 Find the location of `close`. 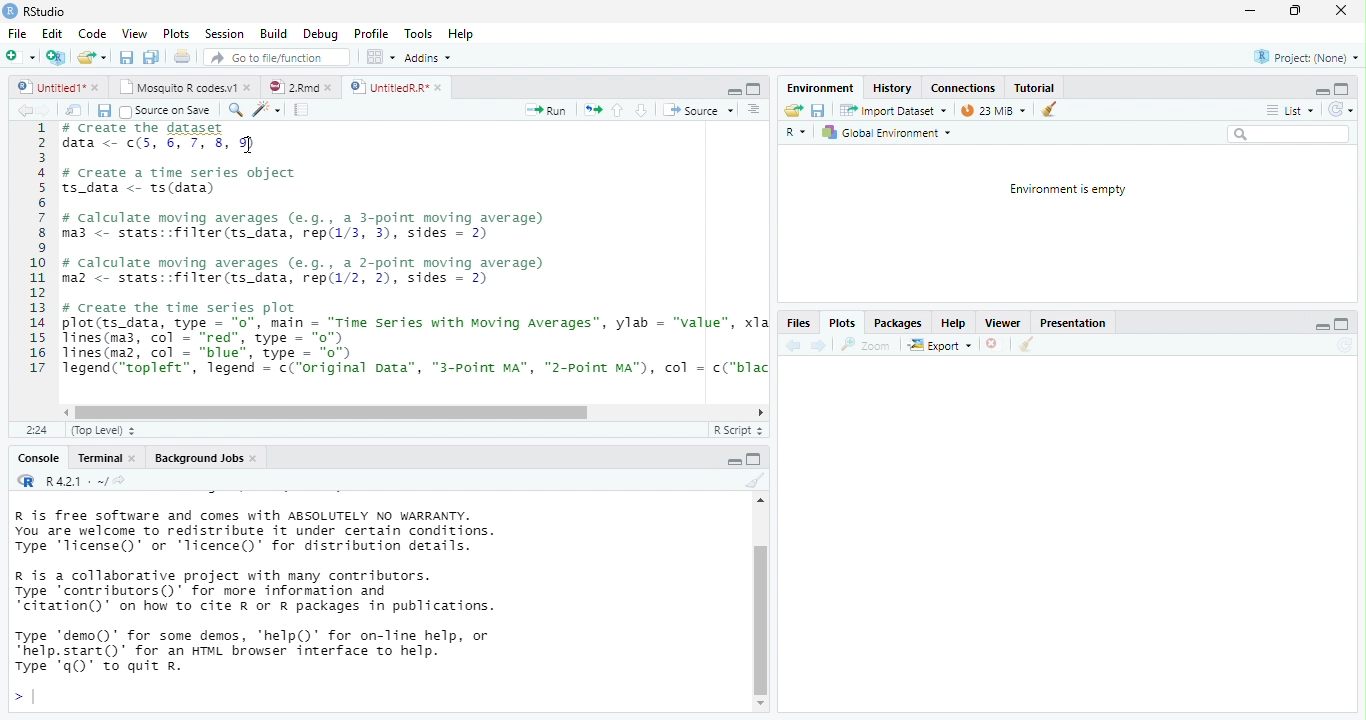

close is located at coordinates (332, 88).